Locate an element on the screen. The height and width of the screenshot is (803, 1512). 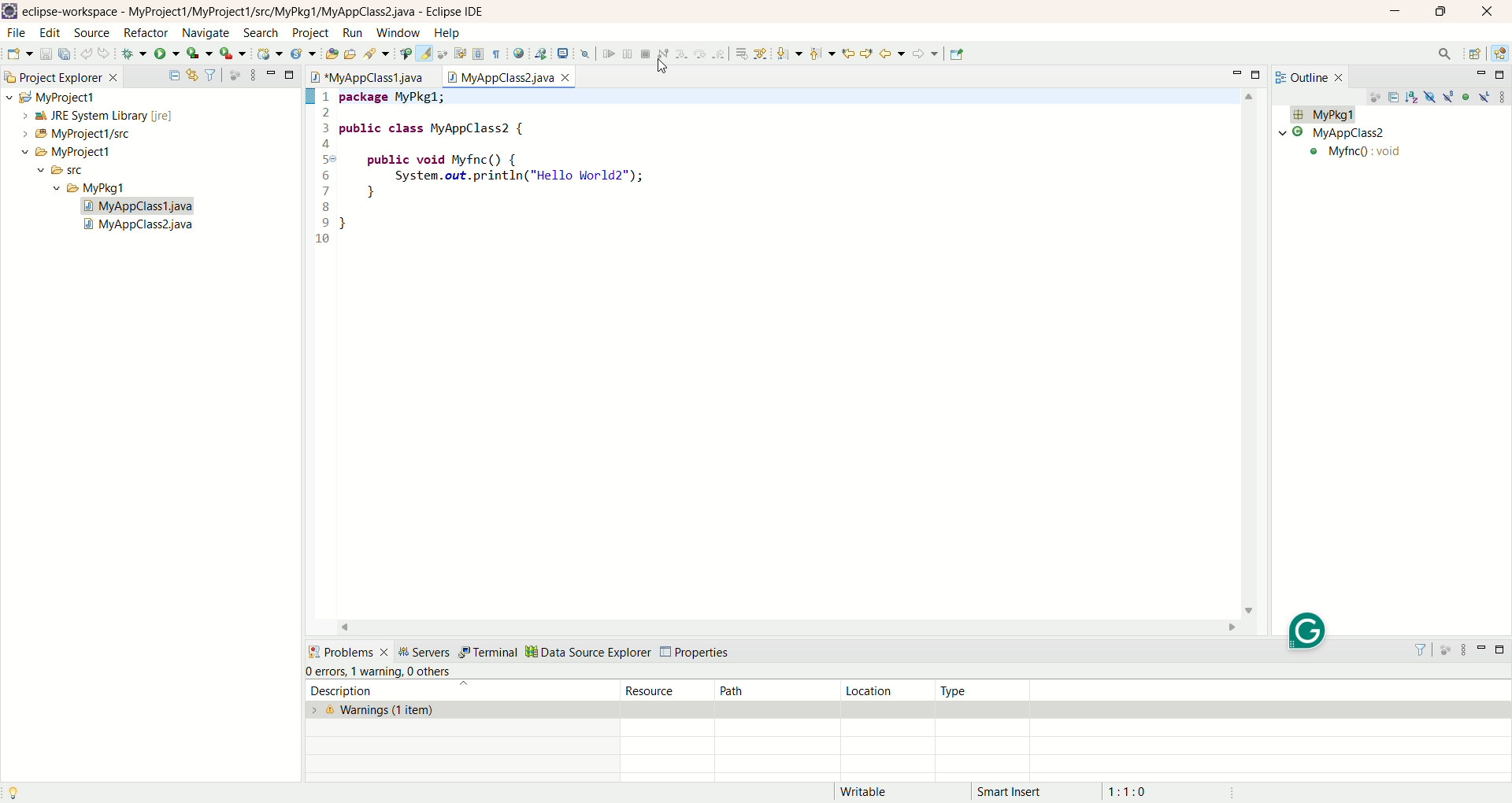
MyAppClass1.java is located at coordinates (373, 77).